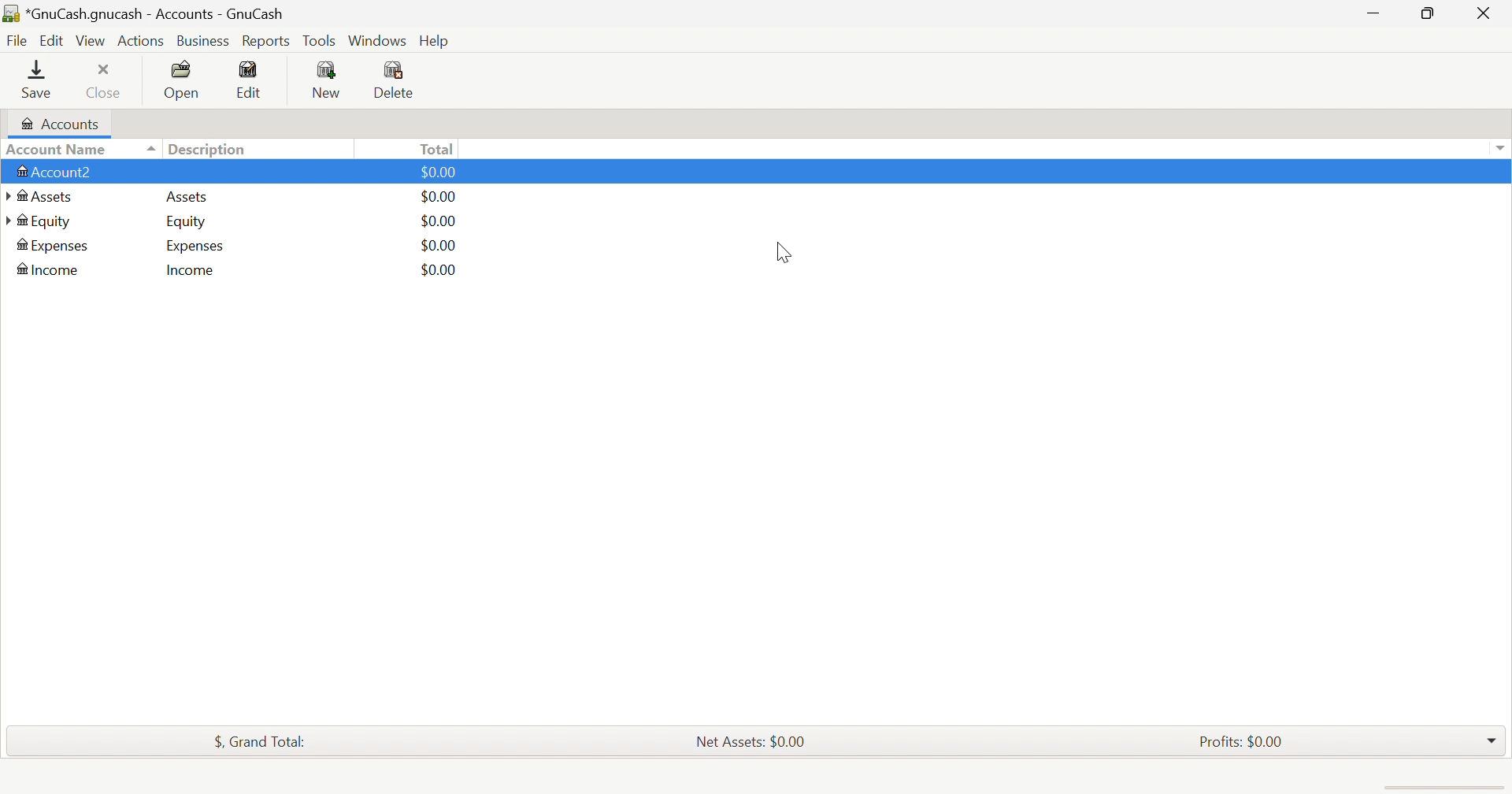  I want to click on Total, so click(443, 150).